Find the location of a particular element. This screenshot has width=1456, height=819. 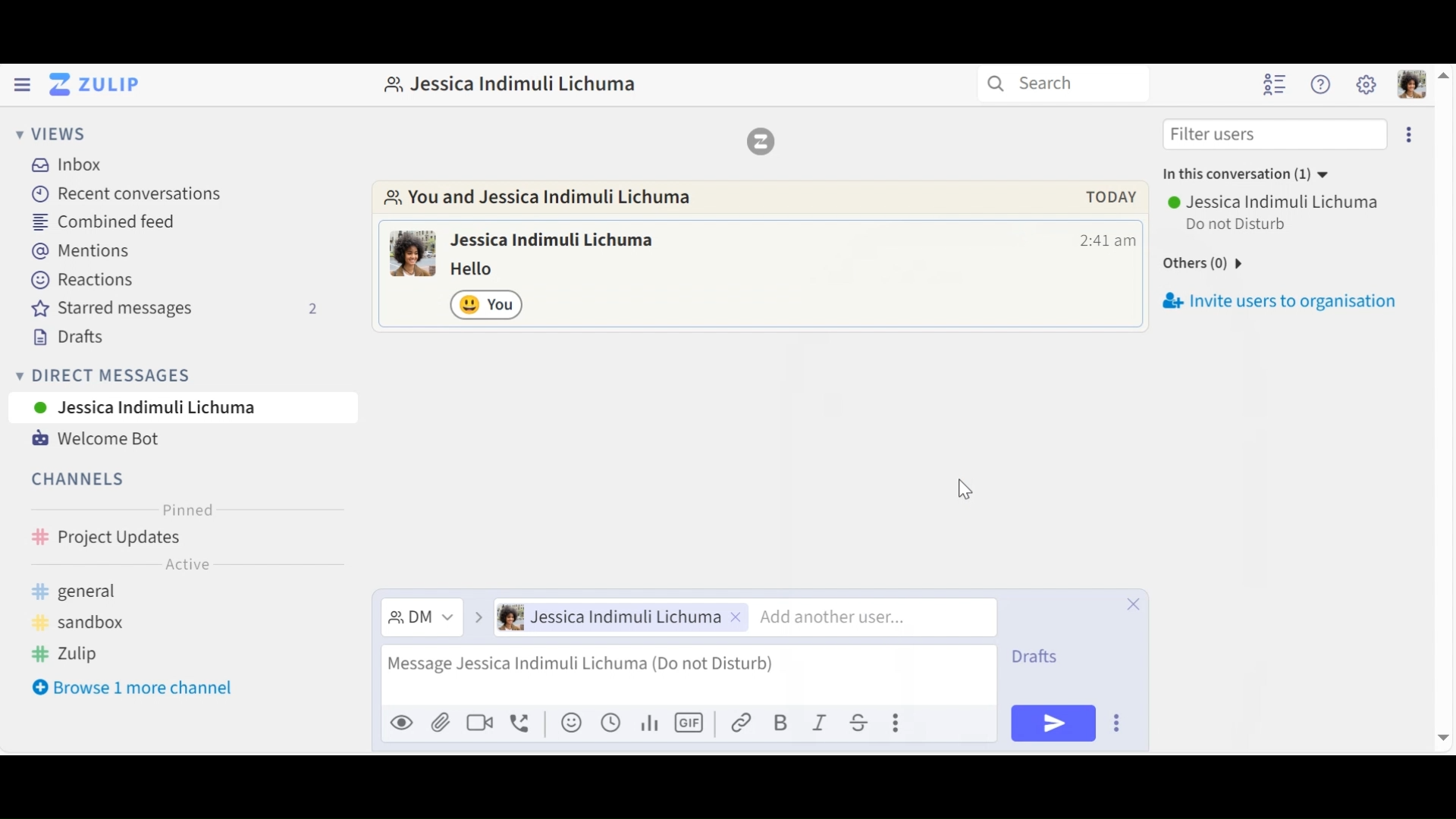

Combined Feed is located at coordinates (108, 221).